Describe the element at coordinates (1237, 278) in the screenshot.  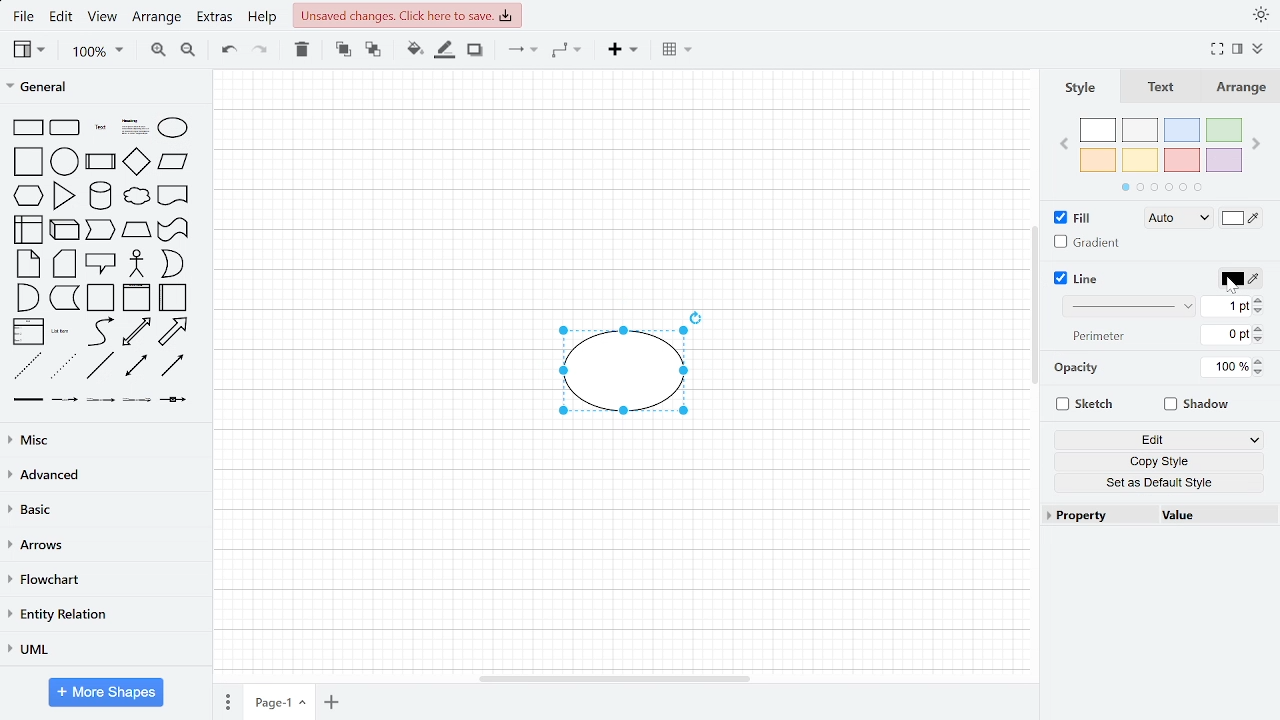
I see `Line color` at that location.